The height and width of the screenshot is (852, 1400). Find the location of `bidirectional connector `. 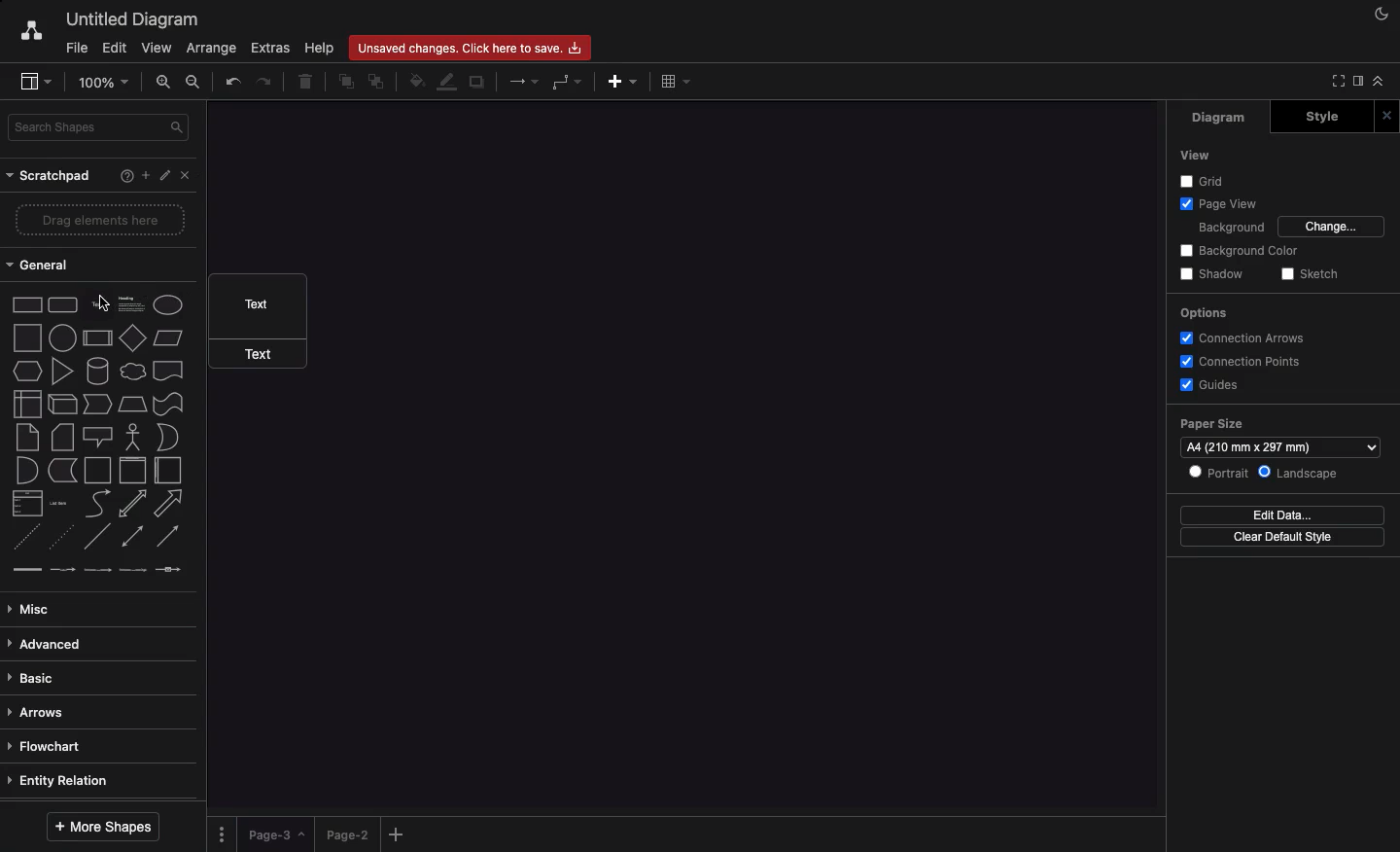

bidirectional connector  is located at coordinates (131, 536).